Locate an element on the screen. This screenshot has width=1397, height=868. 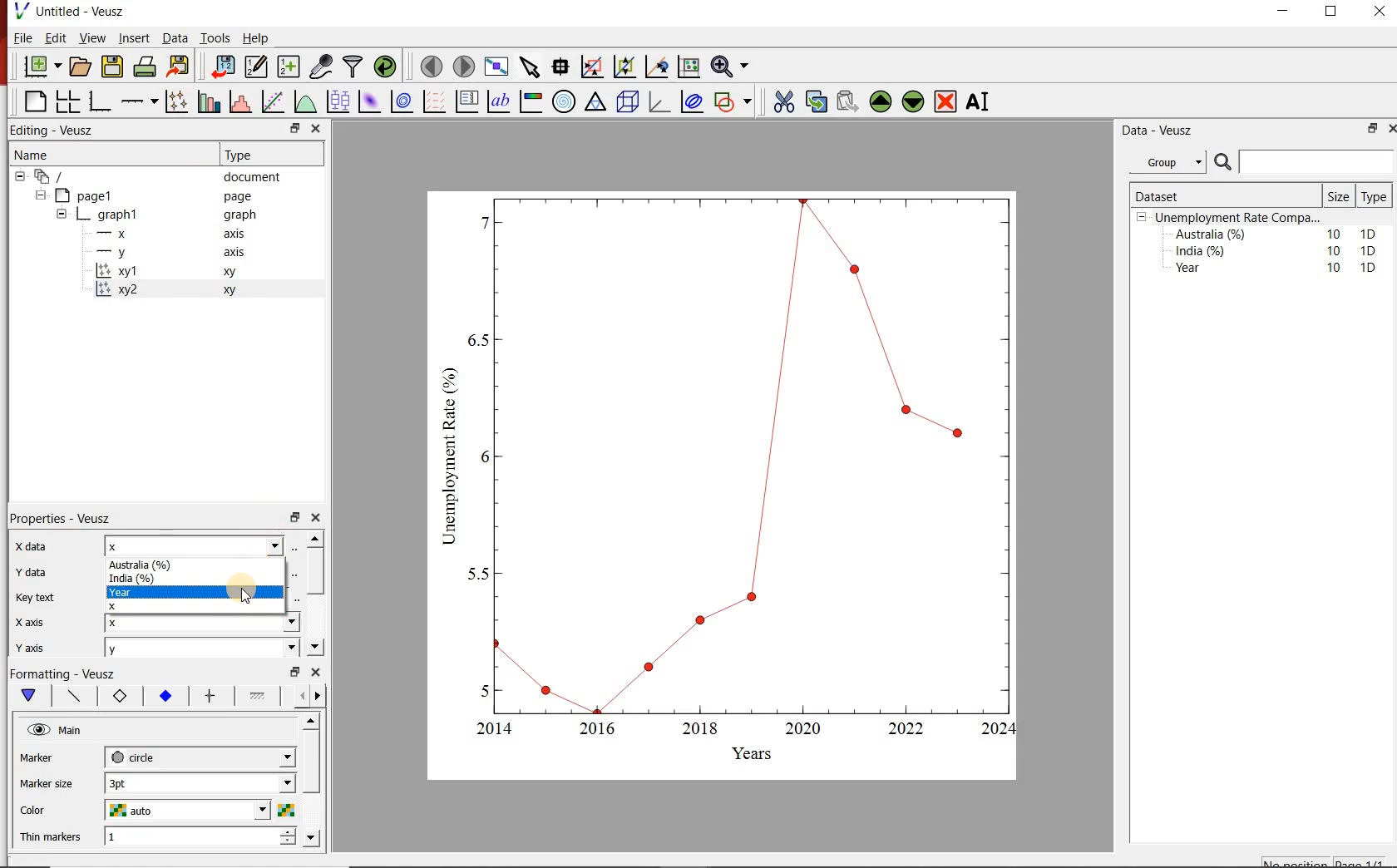
page1 page is located at coordinates (160, 195).